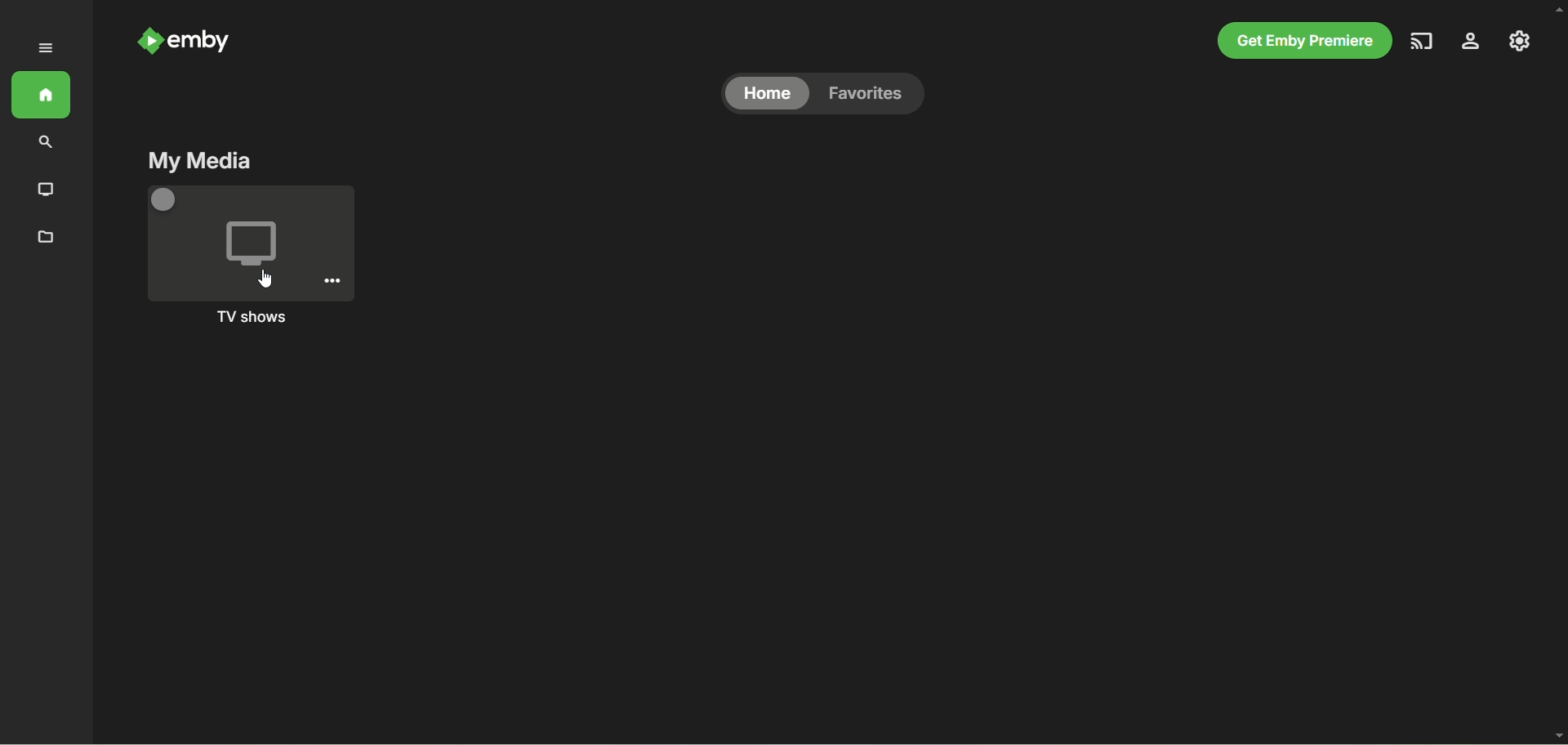  I want to click on settings, so click(1472, 41).